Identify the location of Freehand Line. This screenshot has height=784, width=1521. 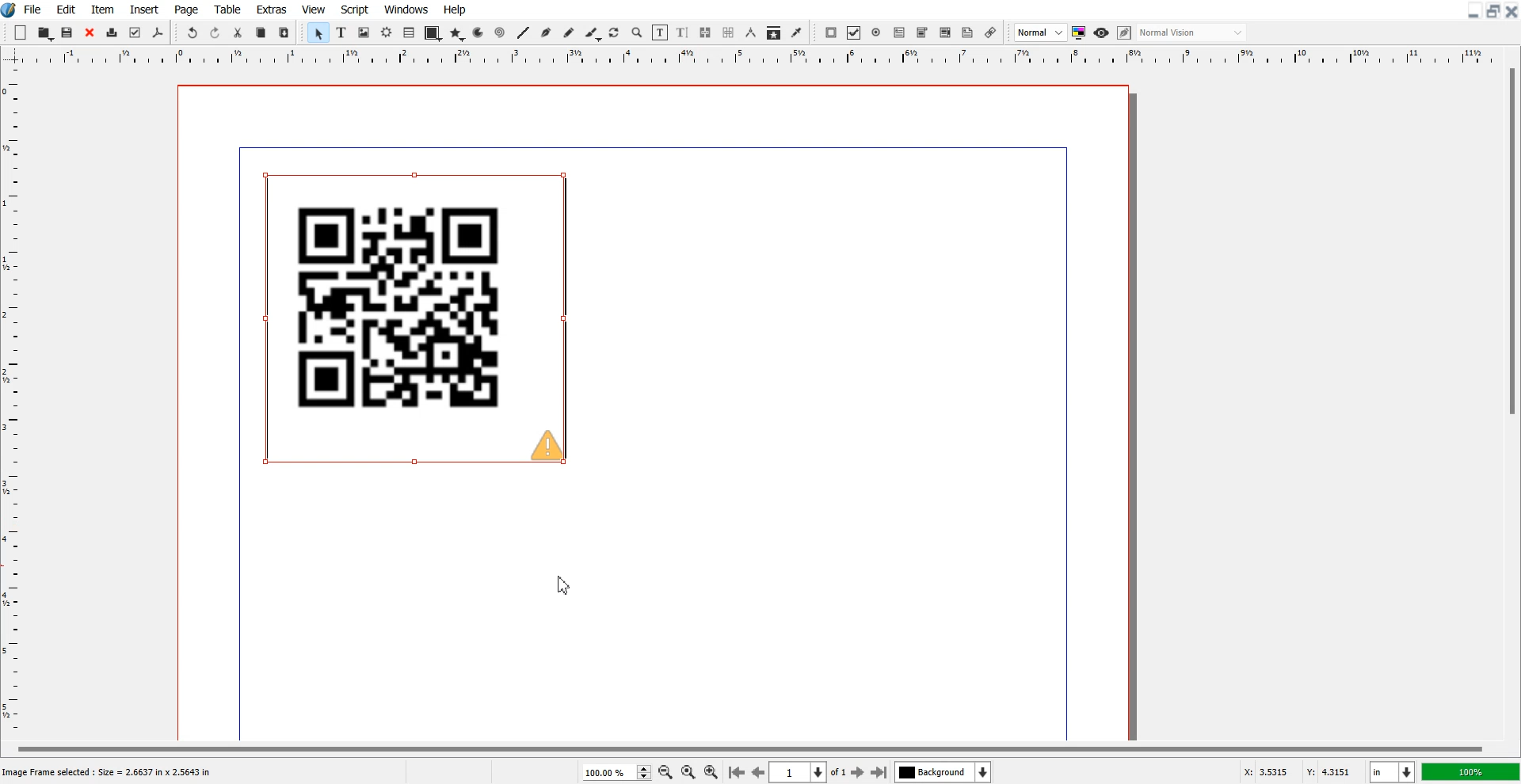
(569, 32).